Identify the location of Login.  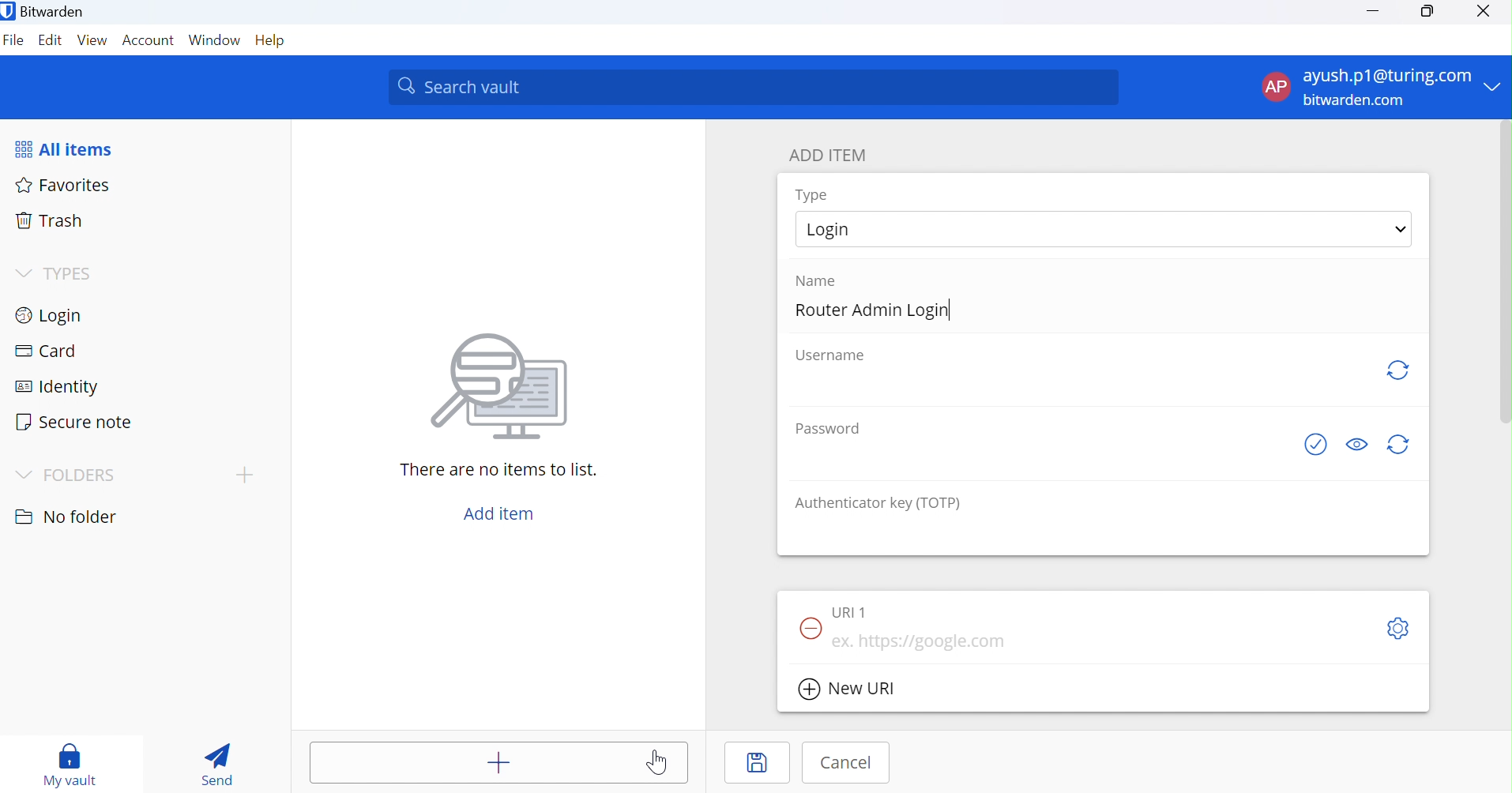
(55, 314).